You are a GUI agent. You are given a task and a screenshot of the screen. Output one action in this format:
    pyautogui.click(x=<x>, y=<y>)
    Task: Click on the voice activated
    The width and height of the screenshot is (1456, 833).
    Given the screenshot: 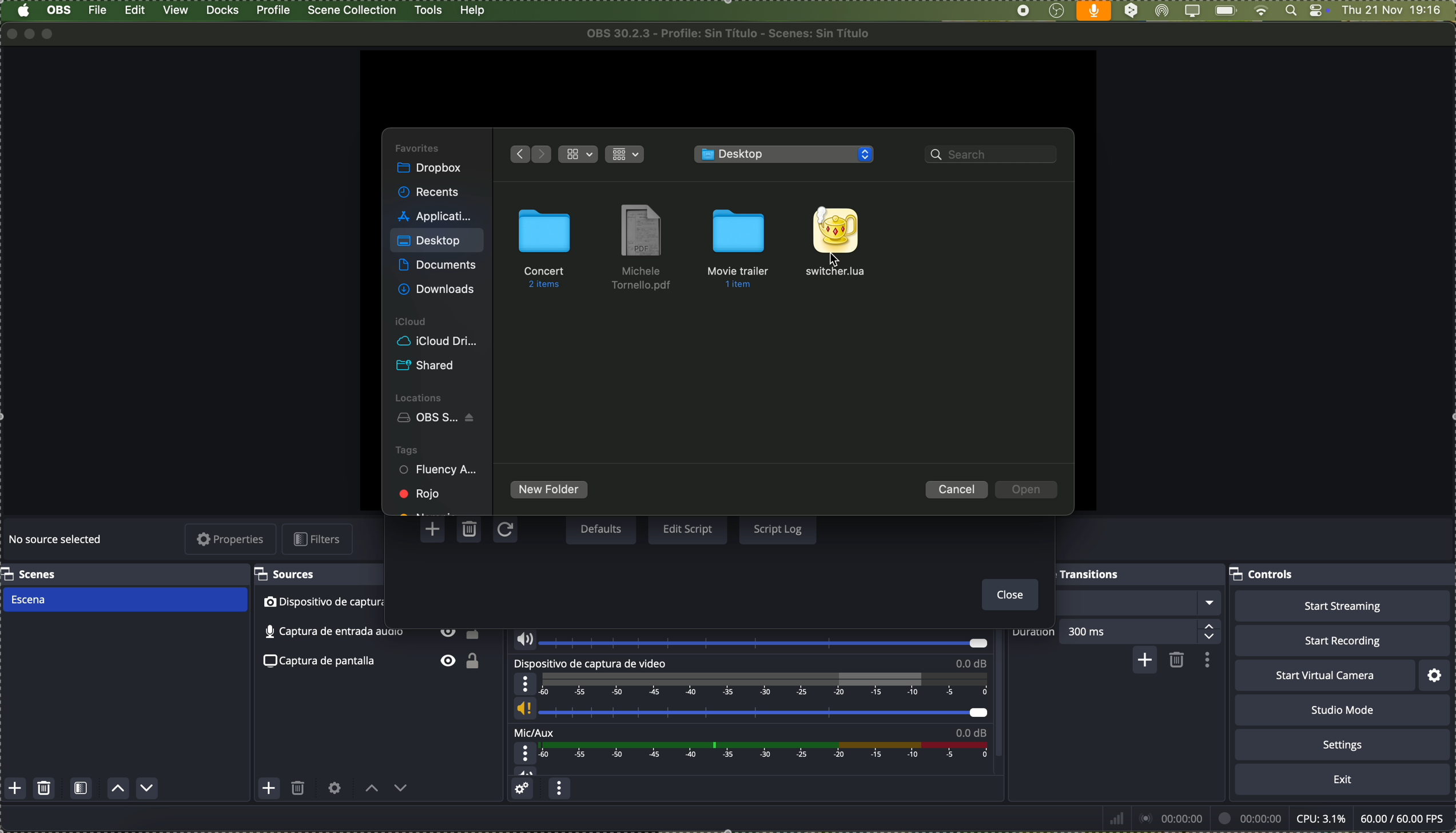 What is the action you would take?
    pyautogui.click(x=1094, y=11)
    